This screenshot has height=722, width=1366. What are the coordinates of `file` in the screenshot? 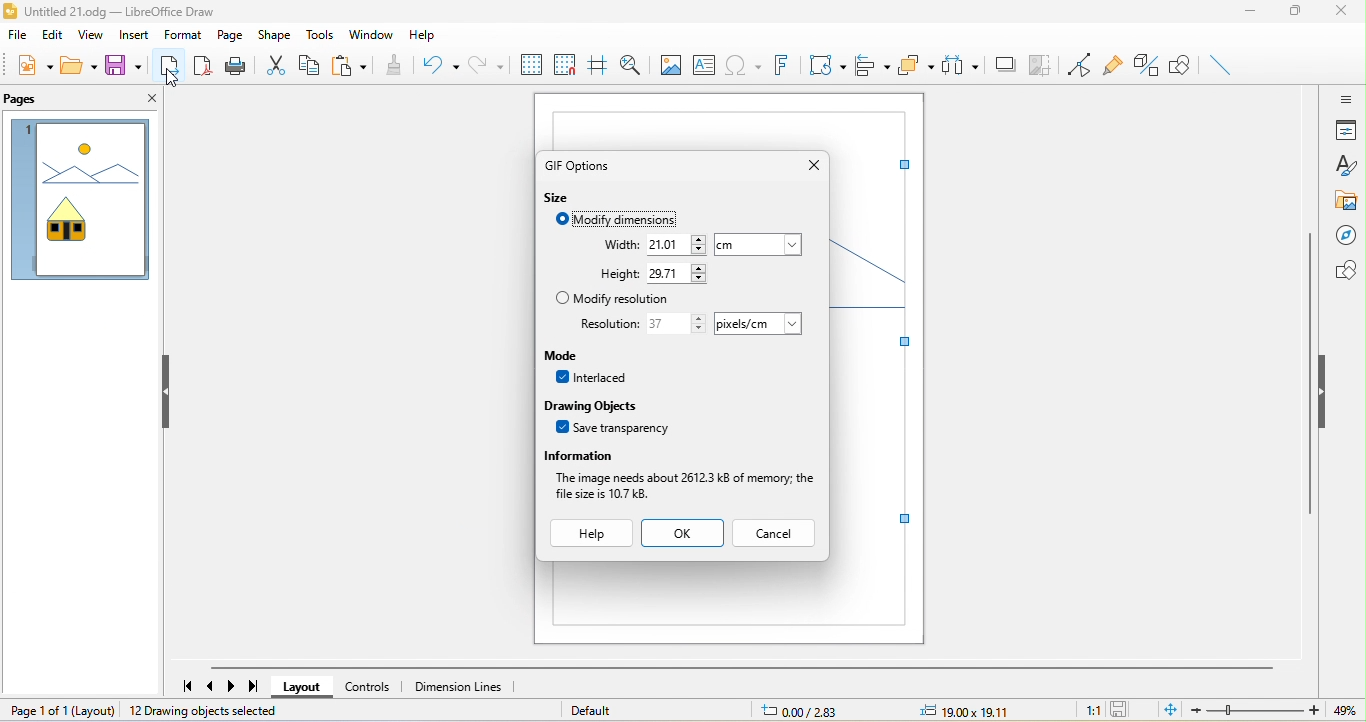 It's located at (20, 36).